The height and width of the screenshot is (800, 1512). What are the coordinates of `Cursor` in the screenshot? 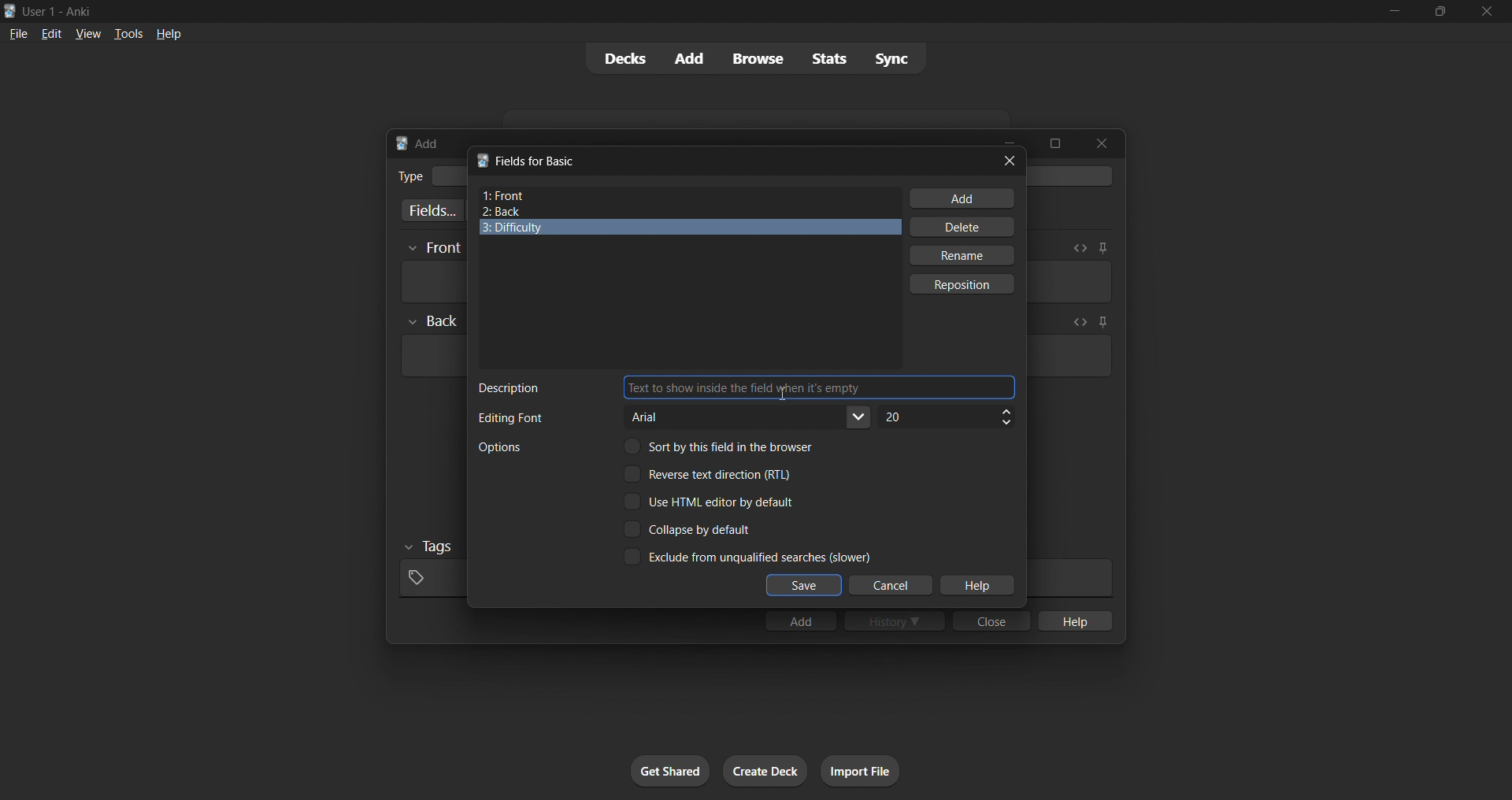 It's located at (781, 397).